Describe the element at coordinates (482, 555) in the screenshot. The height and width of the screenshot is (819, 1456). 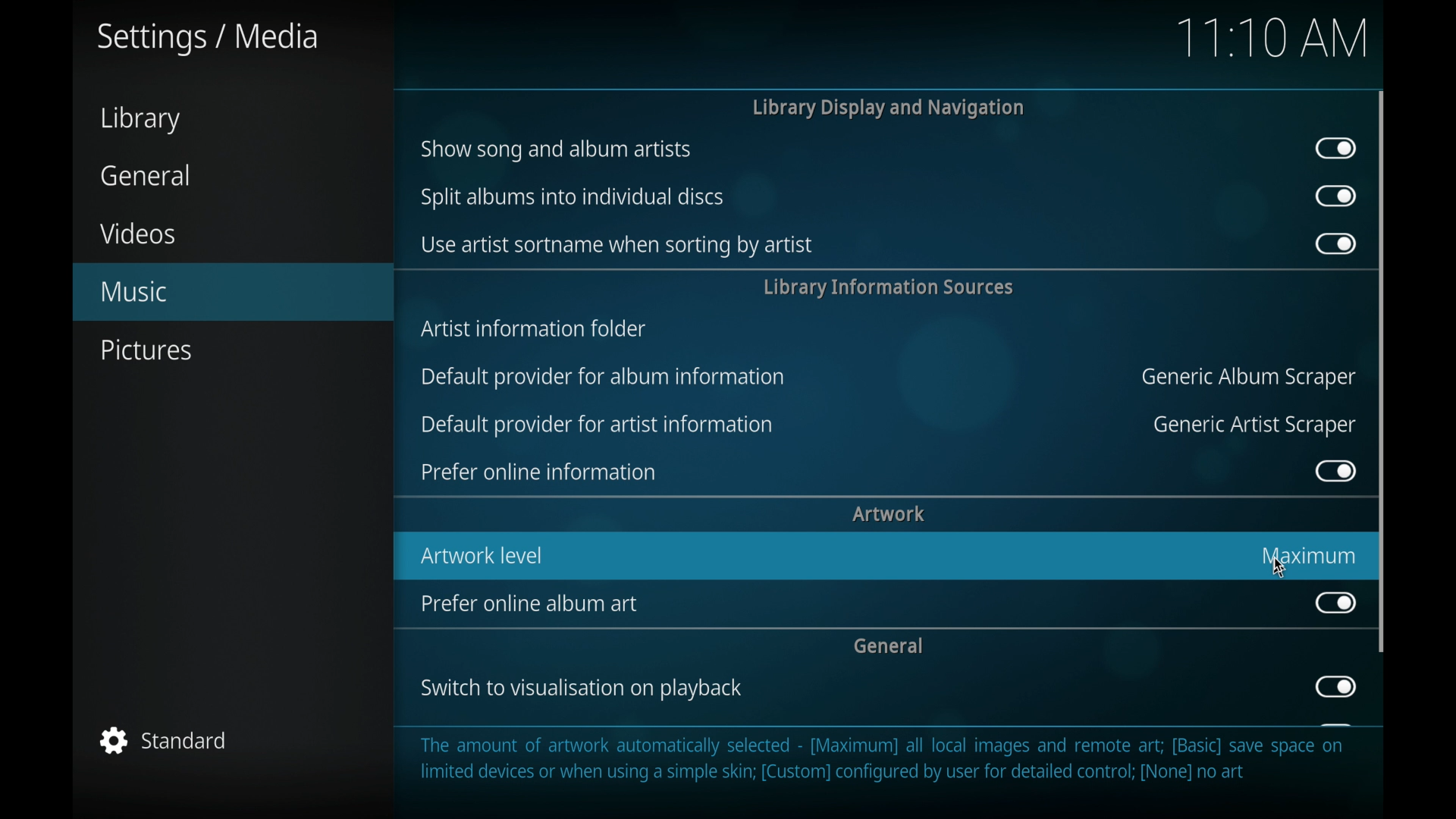
I see `artwork level` at that location.